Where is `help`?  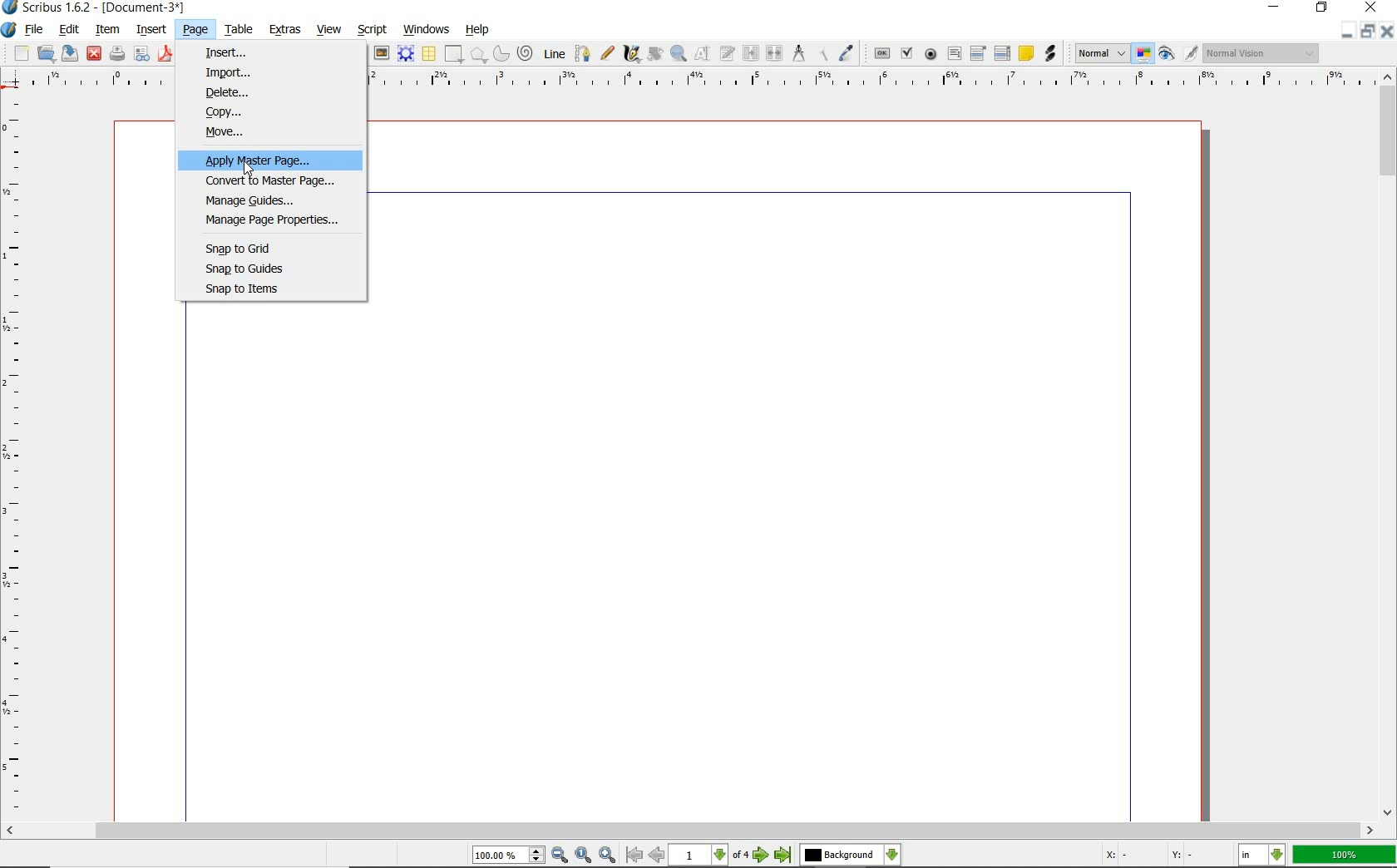 help is located at coordinates (476, 30).